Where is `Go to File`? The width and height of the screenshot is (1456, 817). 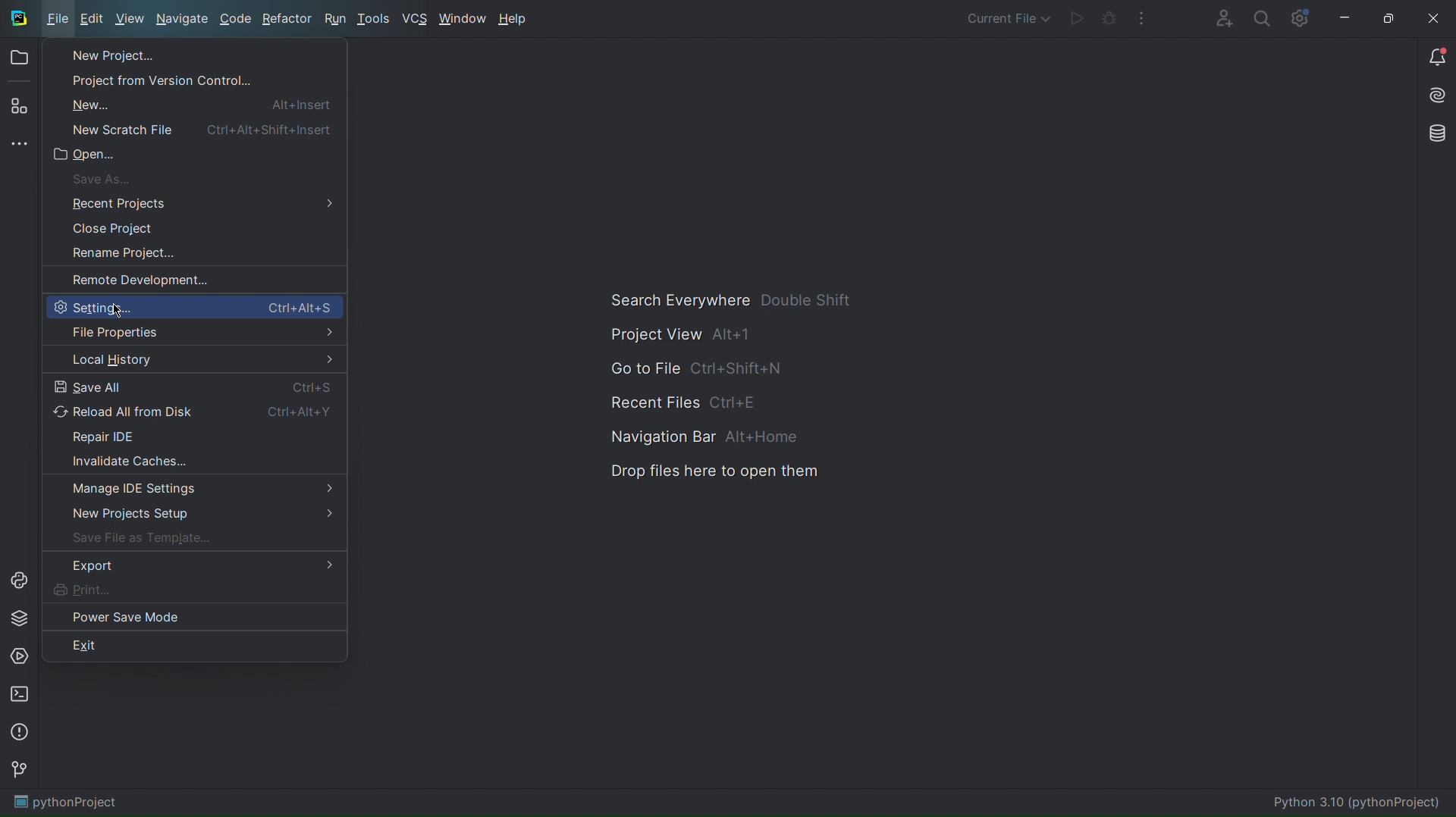
Go to File is located at coordinates (698, 369).